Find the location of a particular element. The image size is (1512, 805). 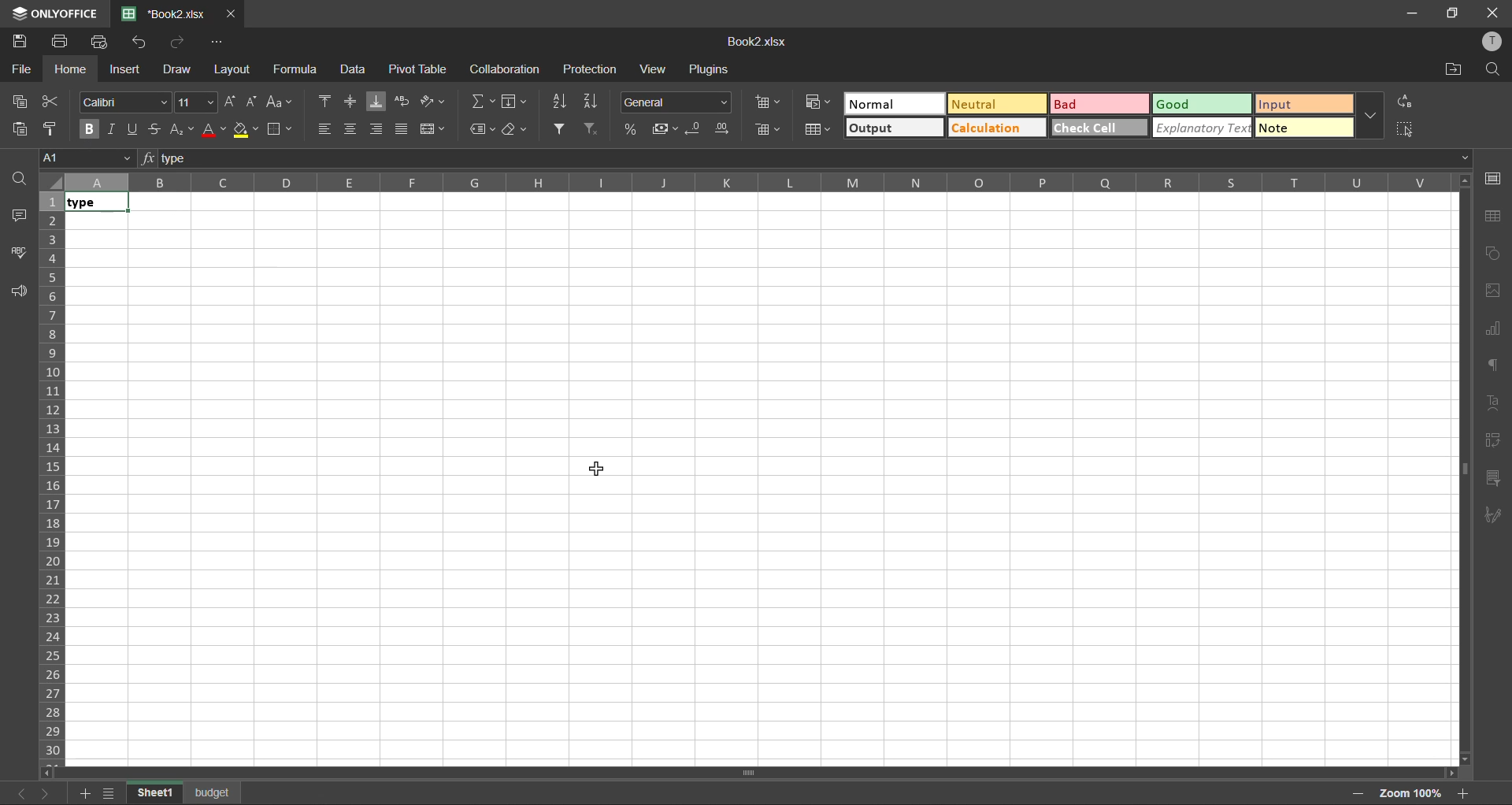

number format is located at coordinates (676, 102).